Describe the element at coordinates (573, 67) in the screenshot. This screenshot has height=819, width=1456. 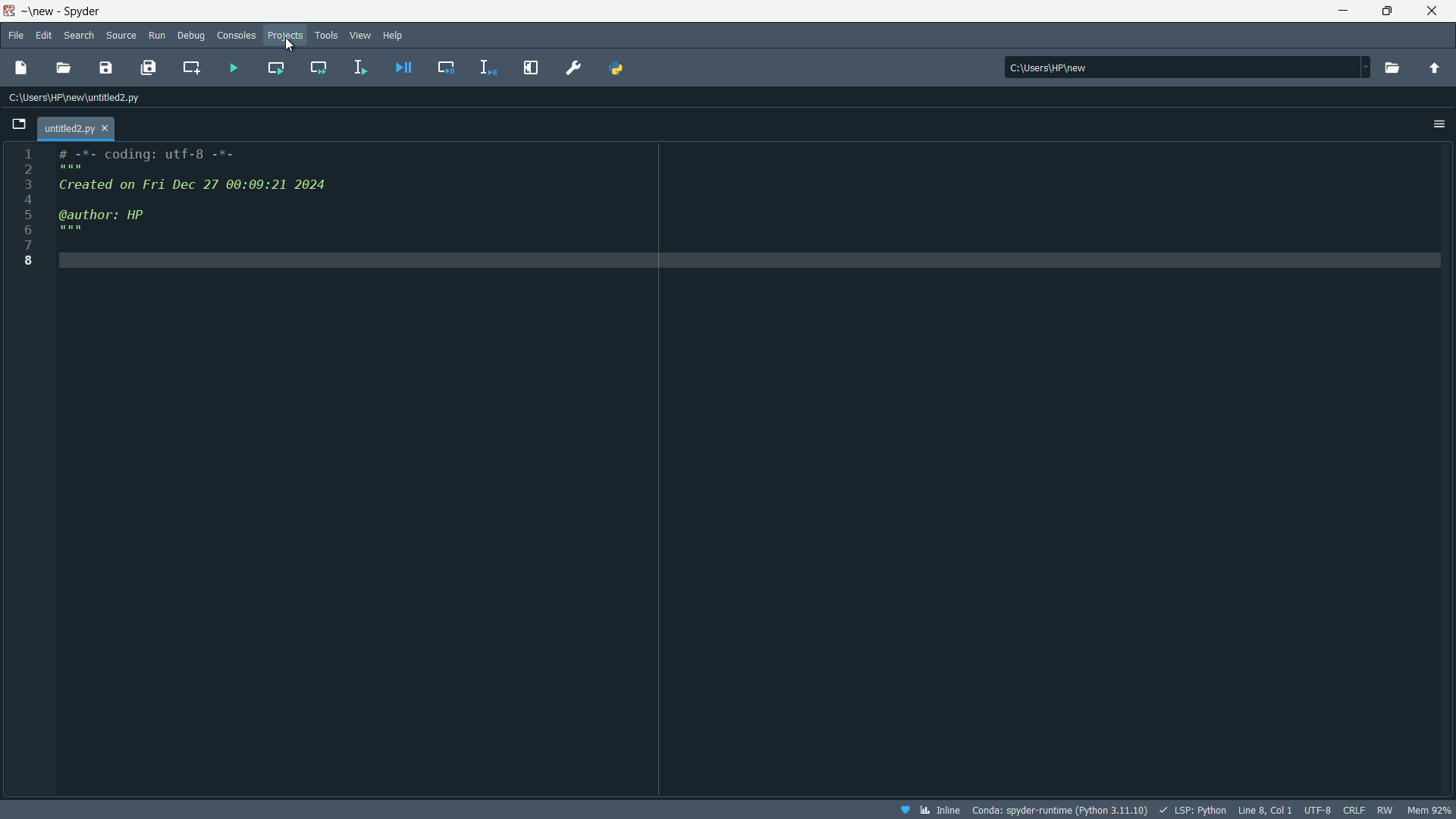
I see `Preferences` at that location.